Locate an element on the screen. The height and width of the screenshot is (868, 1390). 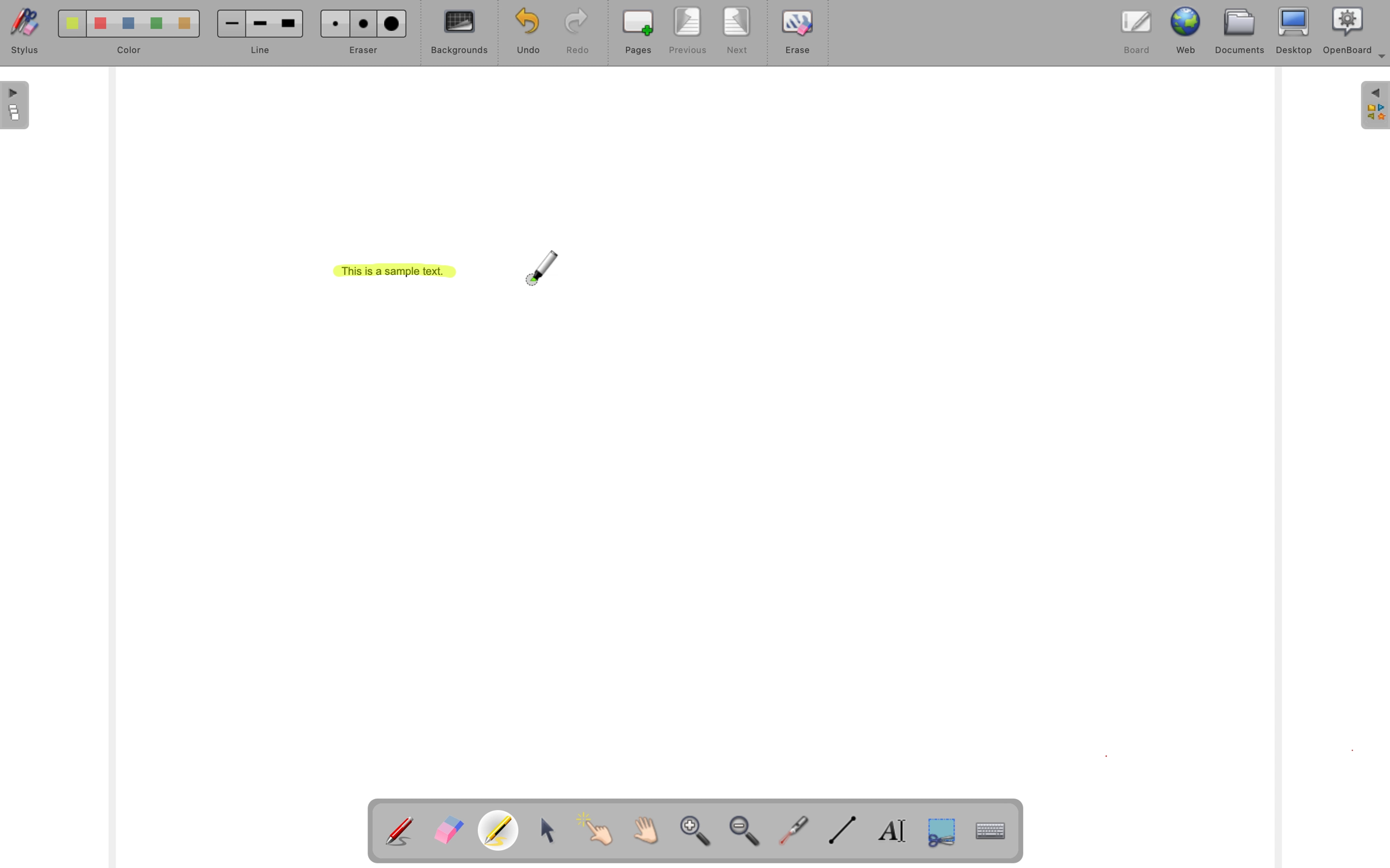
color is located at coordinates (130, 51).